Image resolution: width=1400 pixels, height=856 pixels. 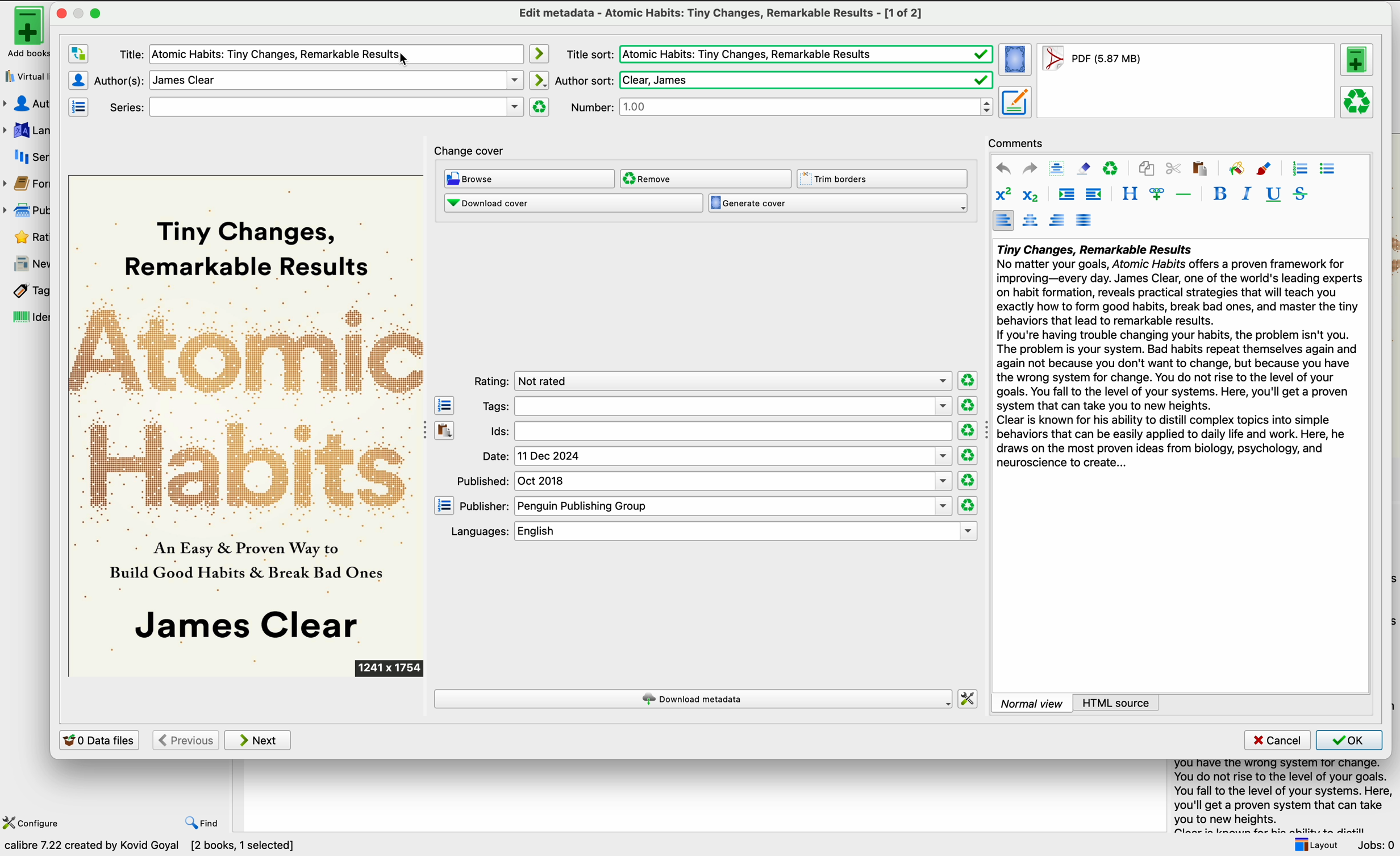 What do you see at coordinates (1095, 195) in the screenshot?
I see `decrease indentation` at bounding box center [1095, 195].